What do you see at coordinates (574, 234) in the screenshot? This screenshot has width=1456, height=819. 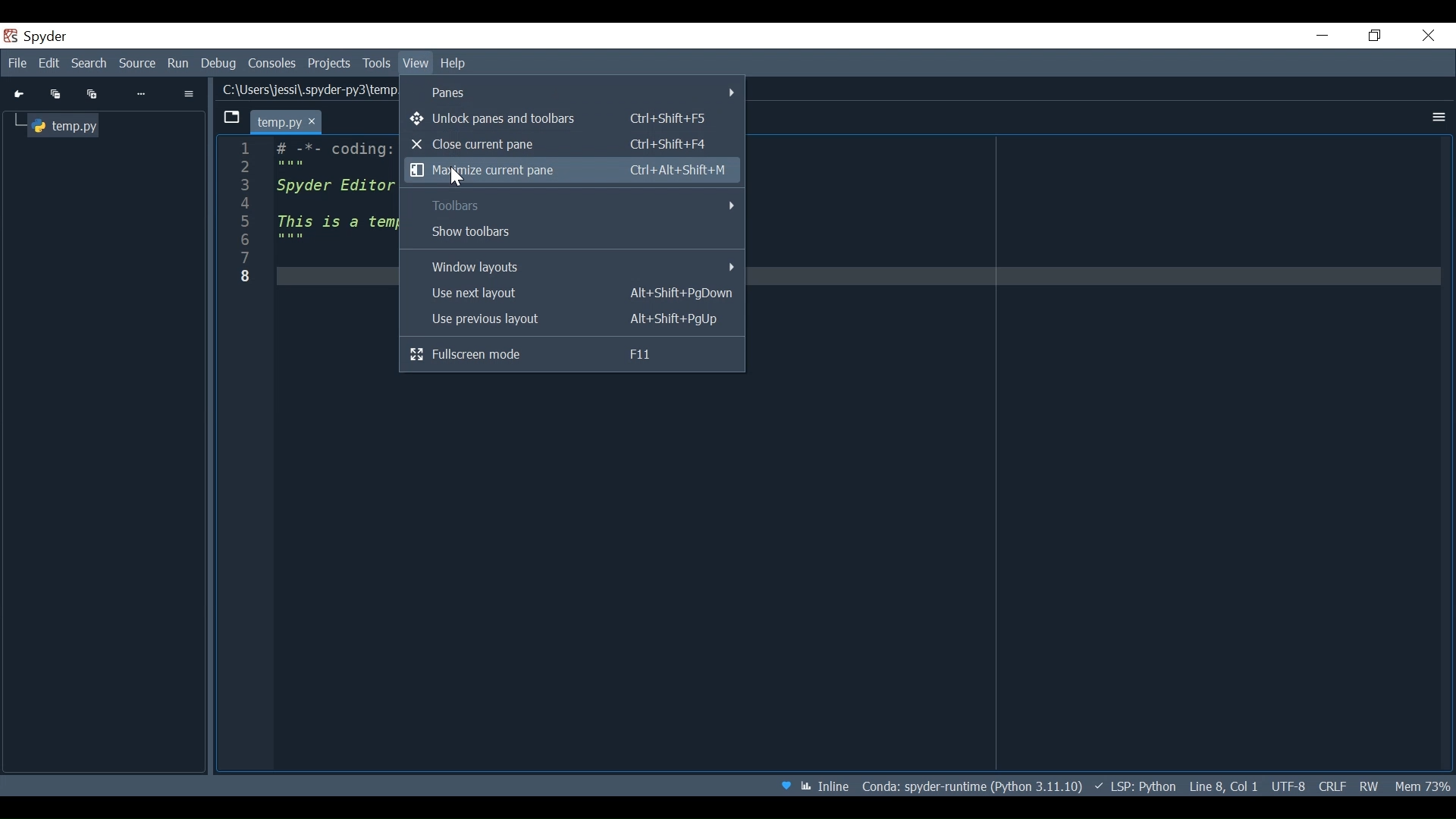 I see `Show Toolbars` at bounding box center [574, 234].